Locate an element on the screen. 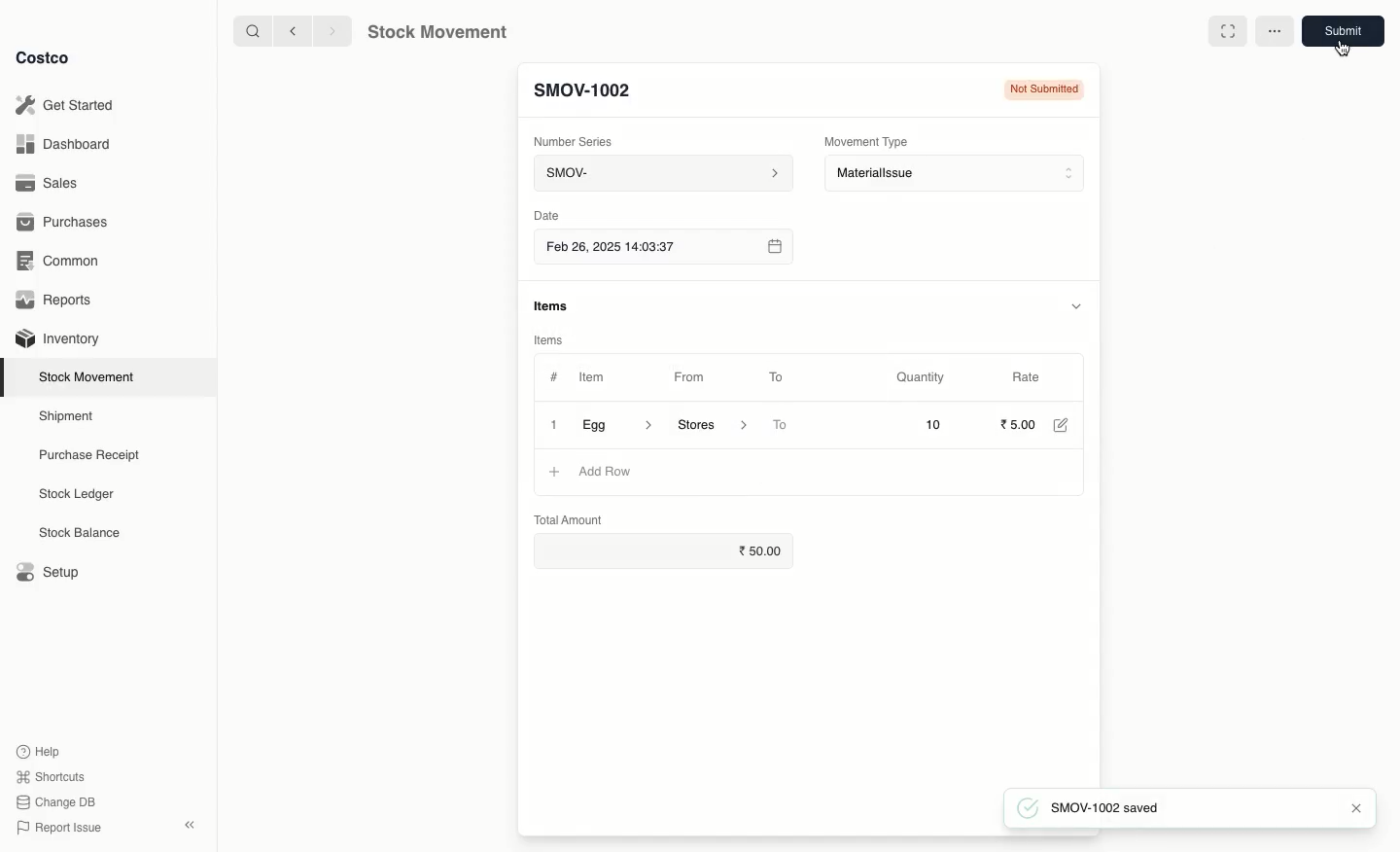  Egg is located at coordinates (617, 424).